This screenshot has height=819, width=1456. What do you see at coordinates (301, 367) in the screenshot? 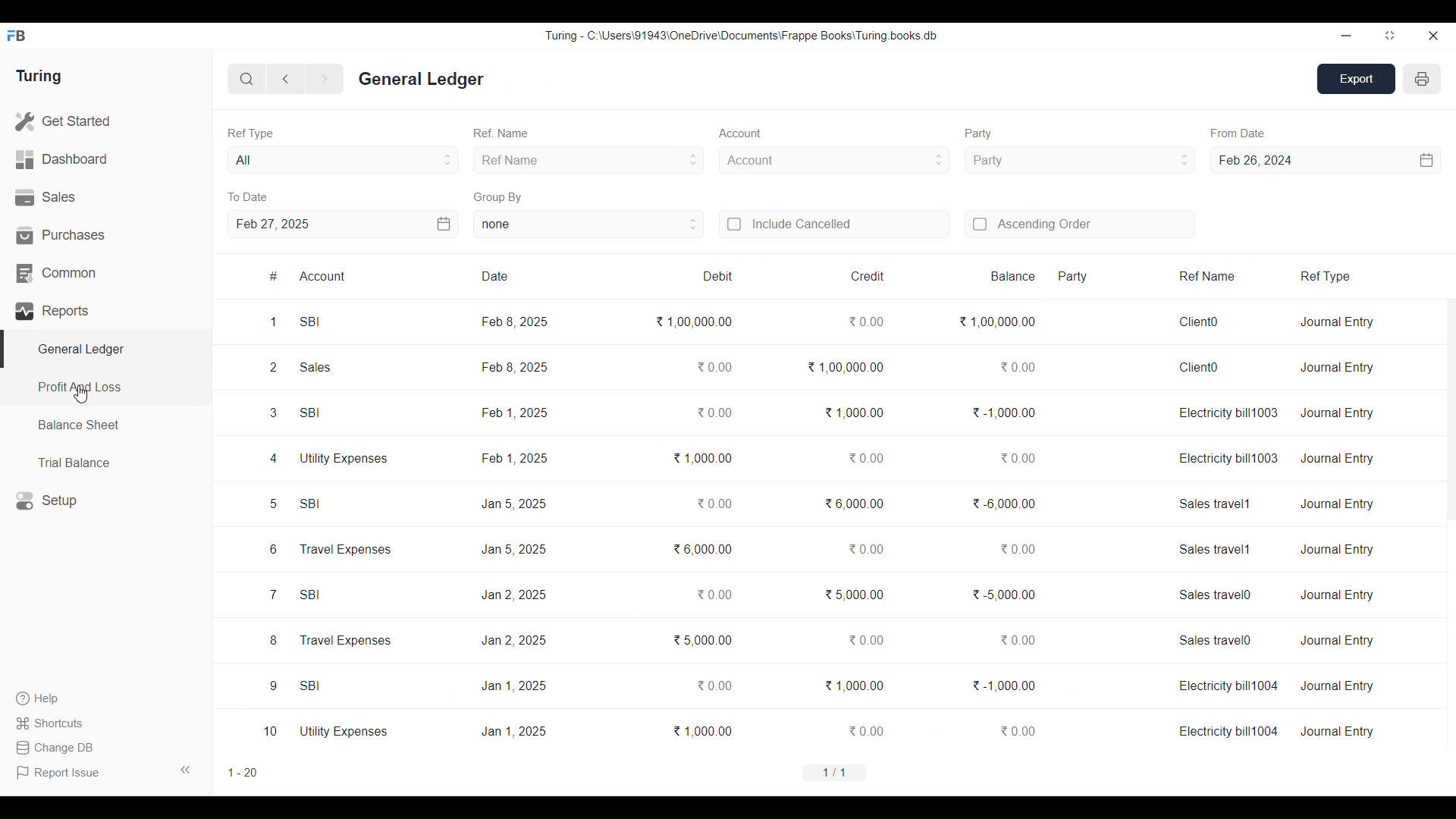
I see `2 Sales` at bounding box center [301, 367].